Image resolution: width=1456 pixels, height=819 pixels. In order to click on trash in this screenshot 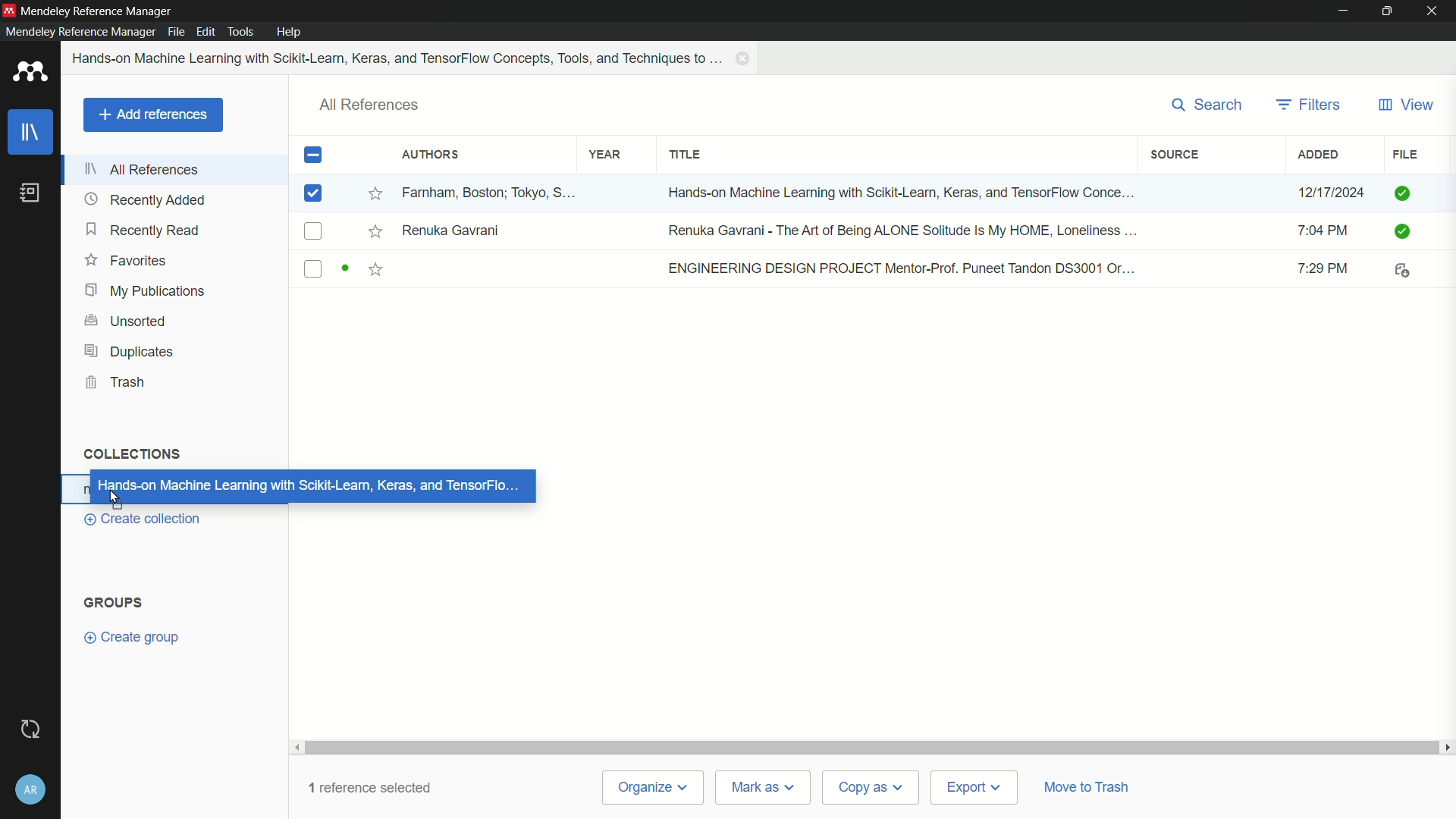, I will do `click(117, 383)`.